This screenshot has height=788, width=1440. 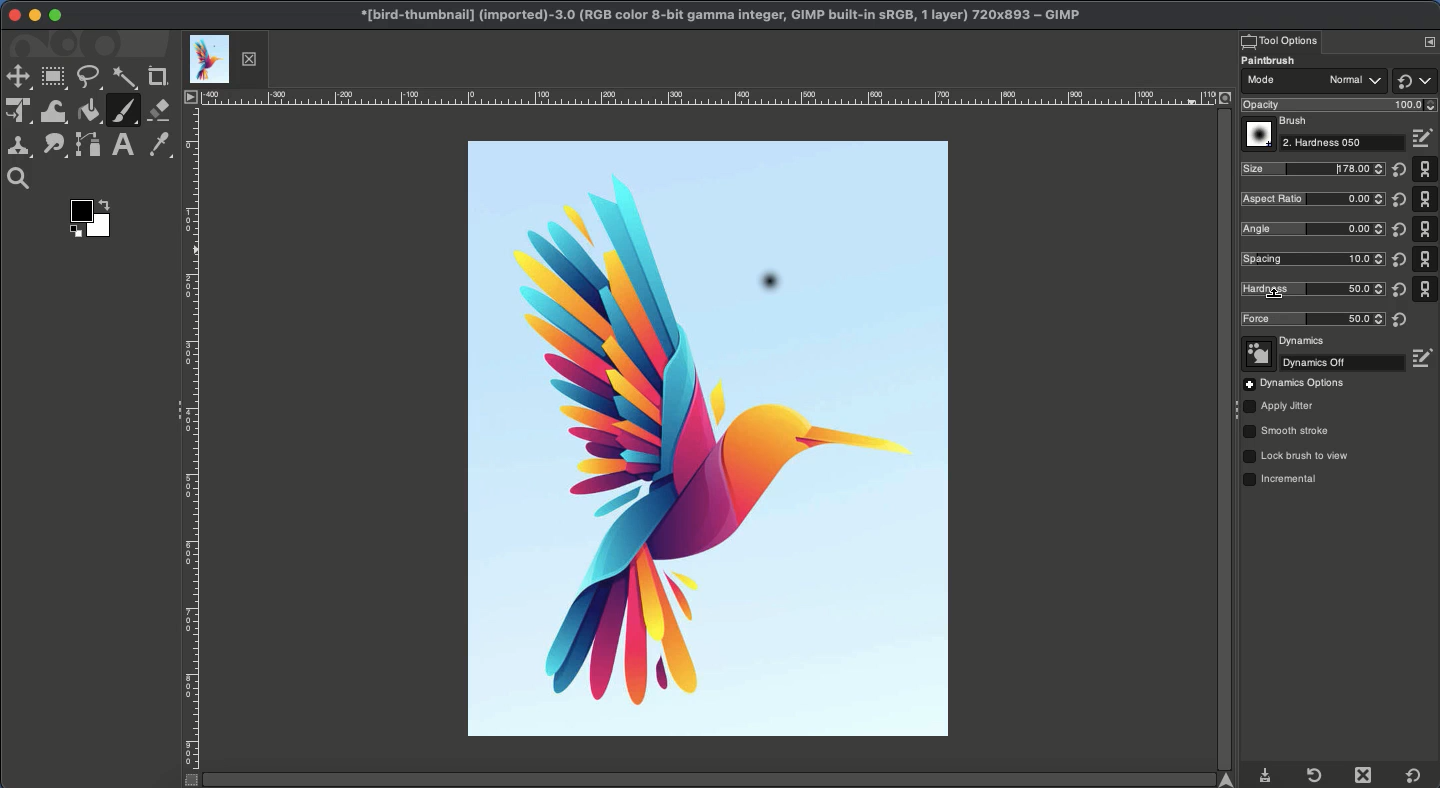 I want to click on GIMP project, so click(x=719, y=15).